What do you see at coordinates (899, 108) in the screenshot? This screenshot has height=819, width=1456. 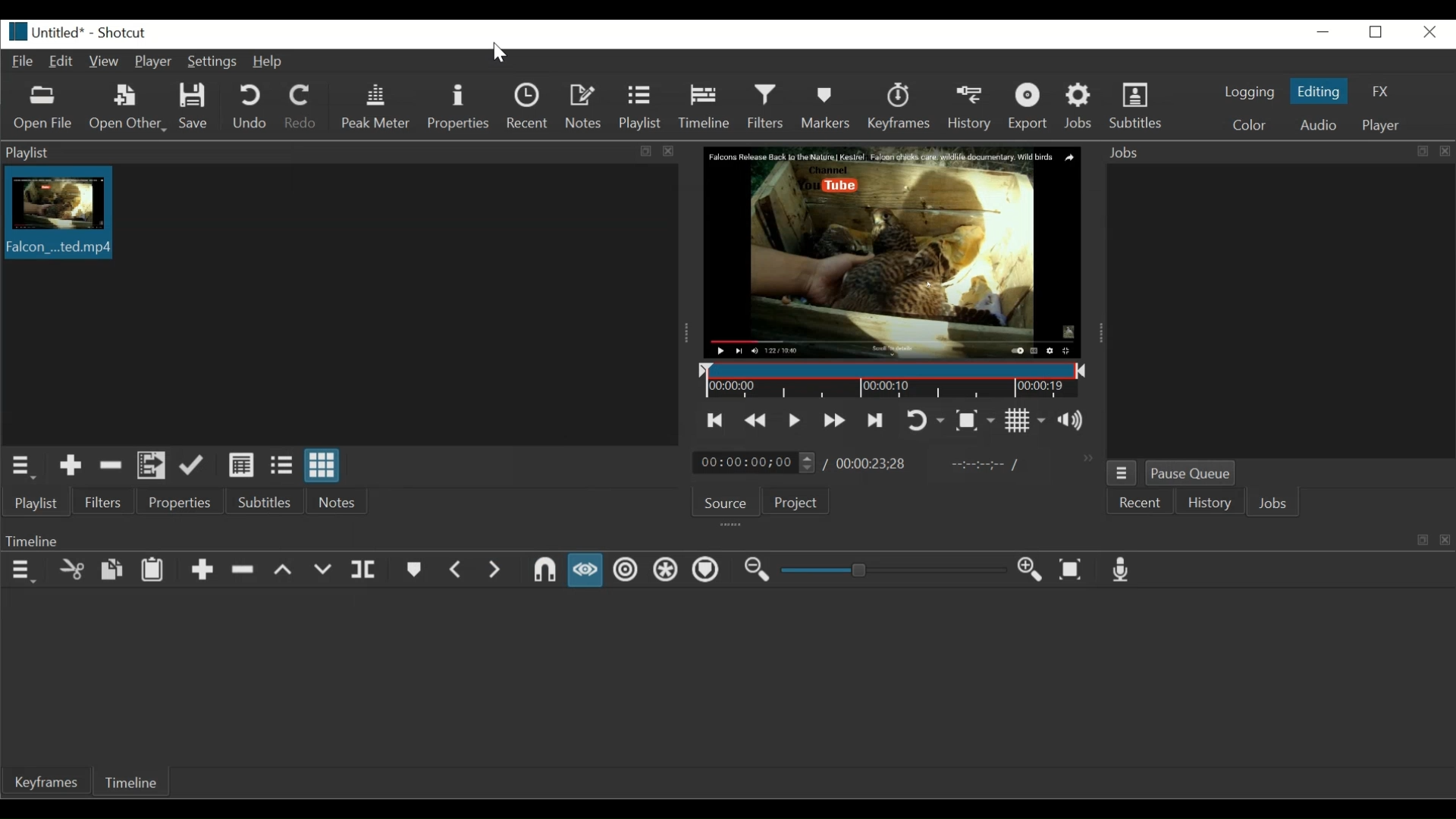 I see `Keyframes` at bounding box center [899, 108].